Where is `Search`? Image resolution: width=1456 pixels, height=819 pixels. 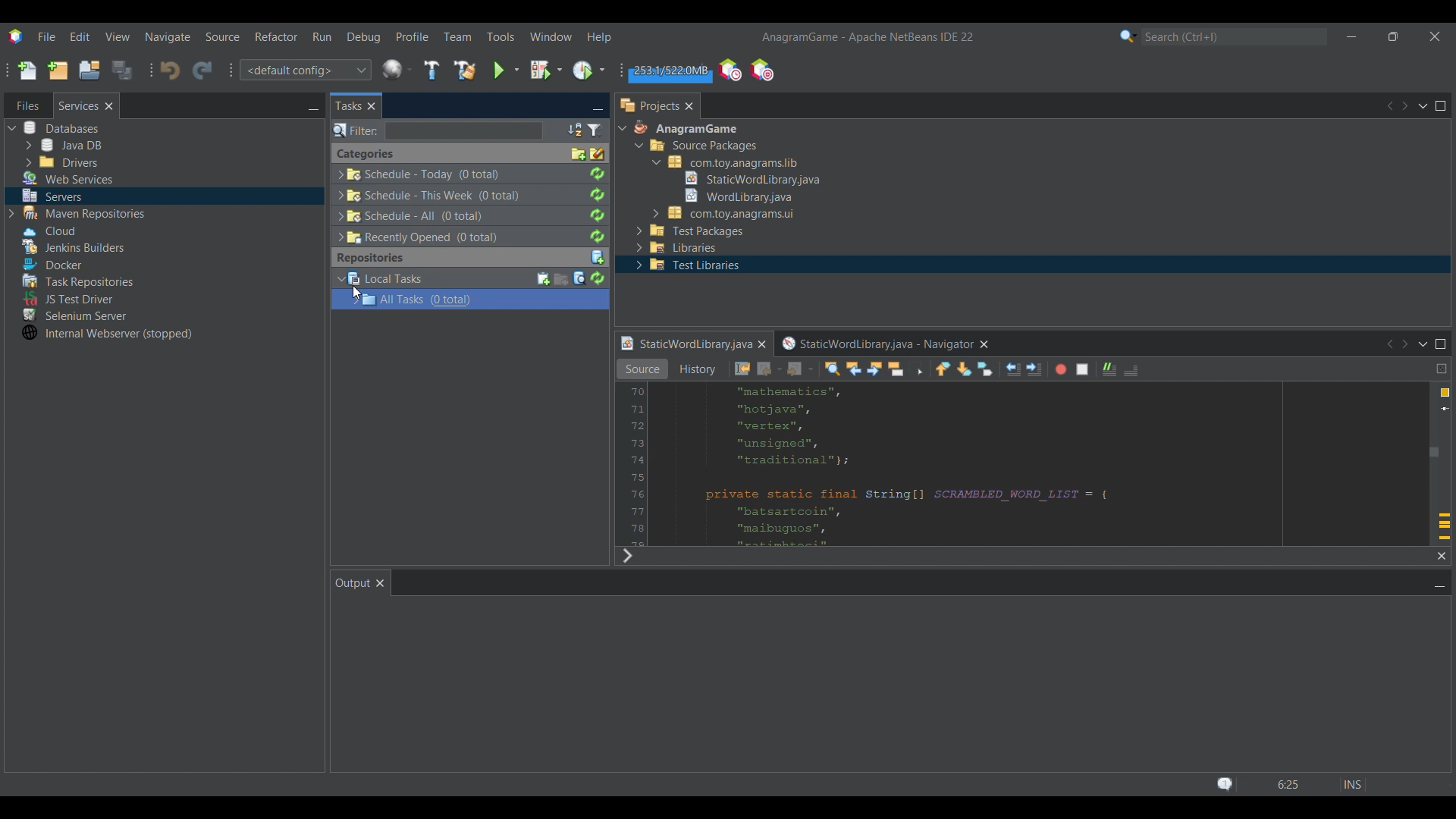
Search is located at coordinates (1234, 36).